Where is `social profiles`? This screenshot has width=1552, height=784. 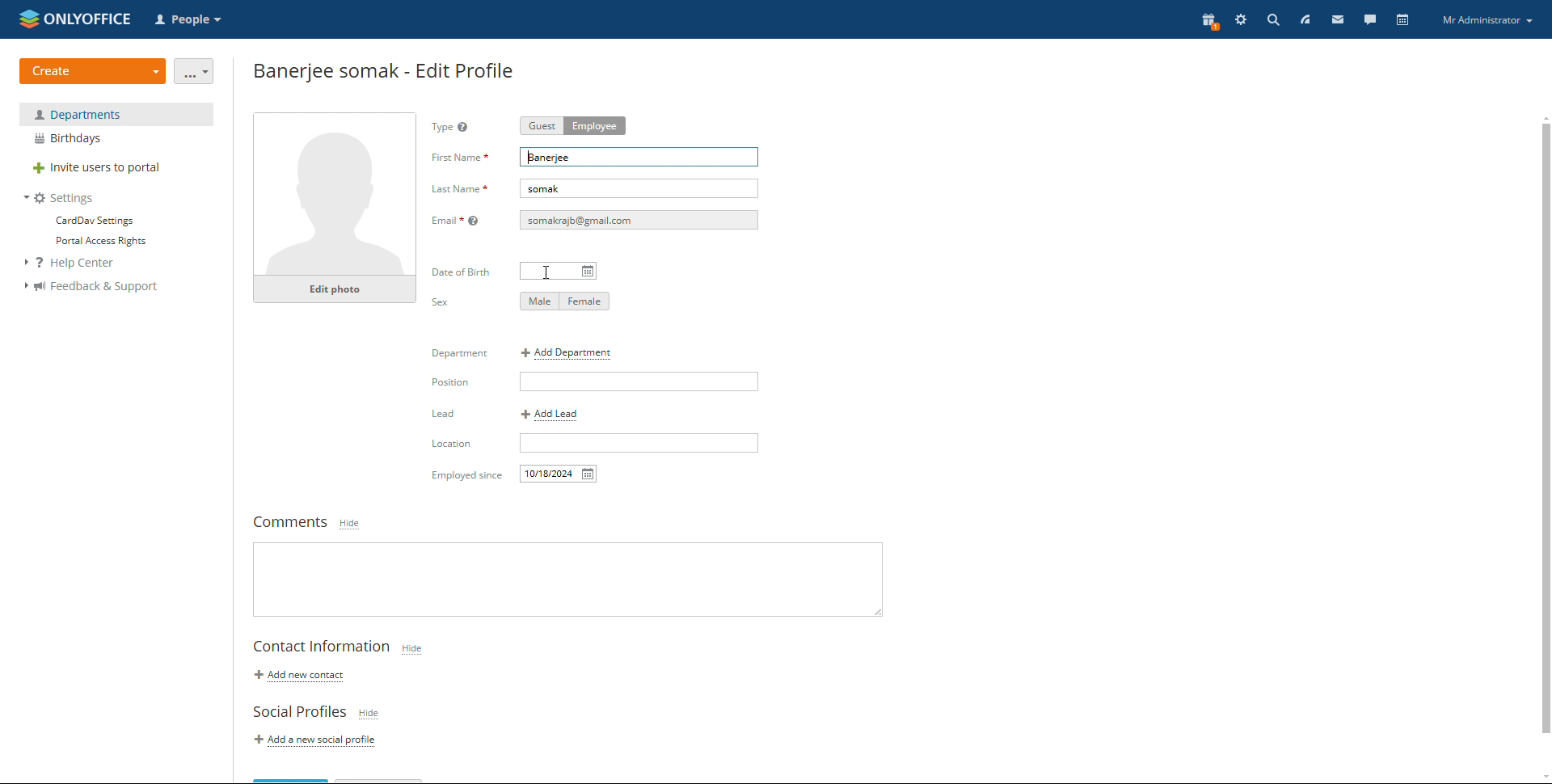
social profiles is located at coordinates (298, 712).